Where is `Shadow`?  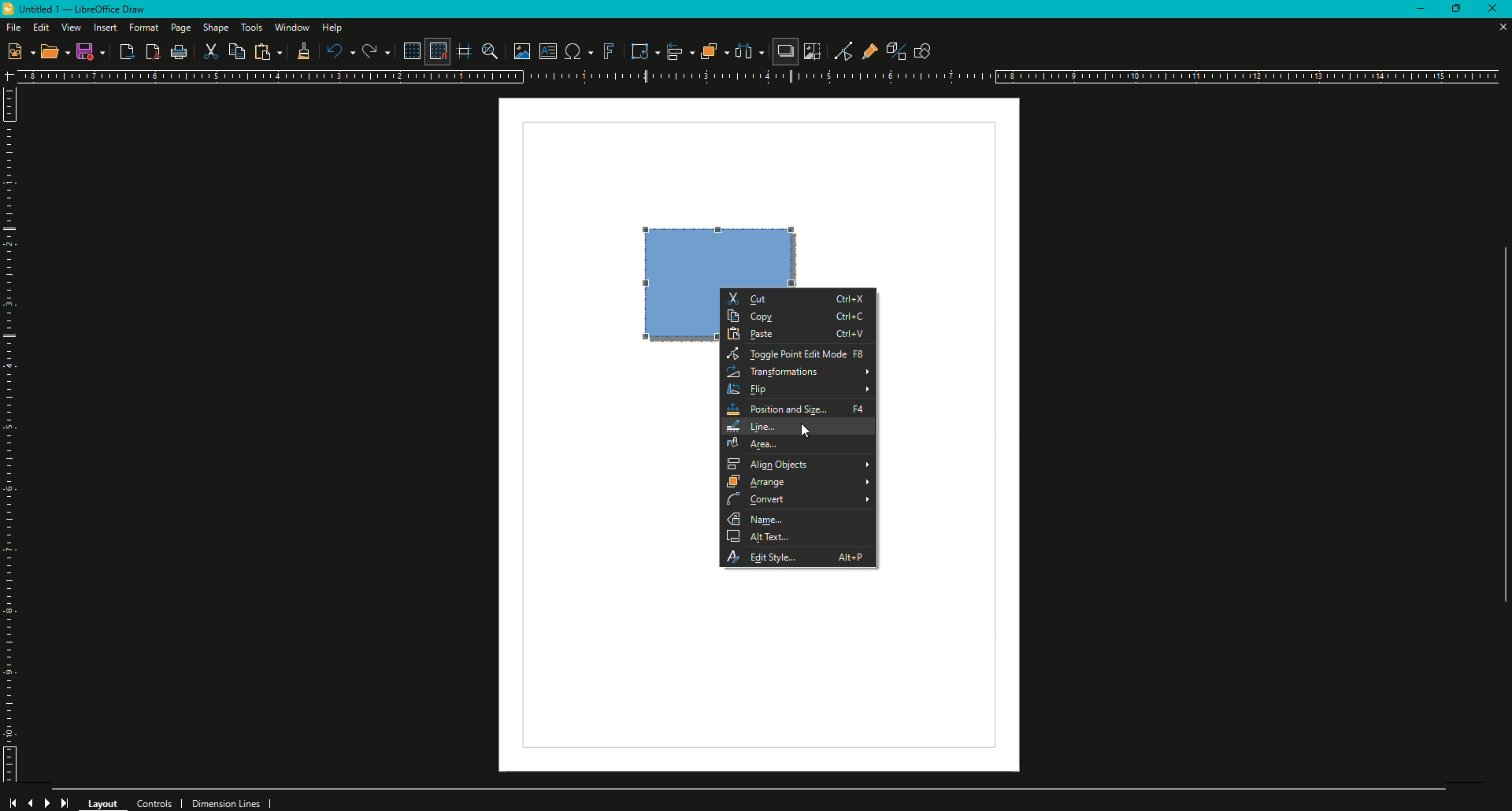
Shadow is located at coordinates (784, 53).